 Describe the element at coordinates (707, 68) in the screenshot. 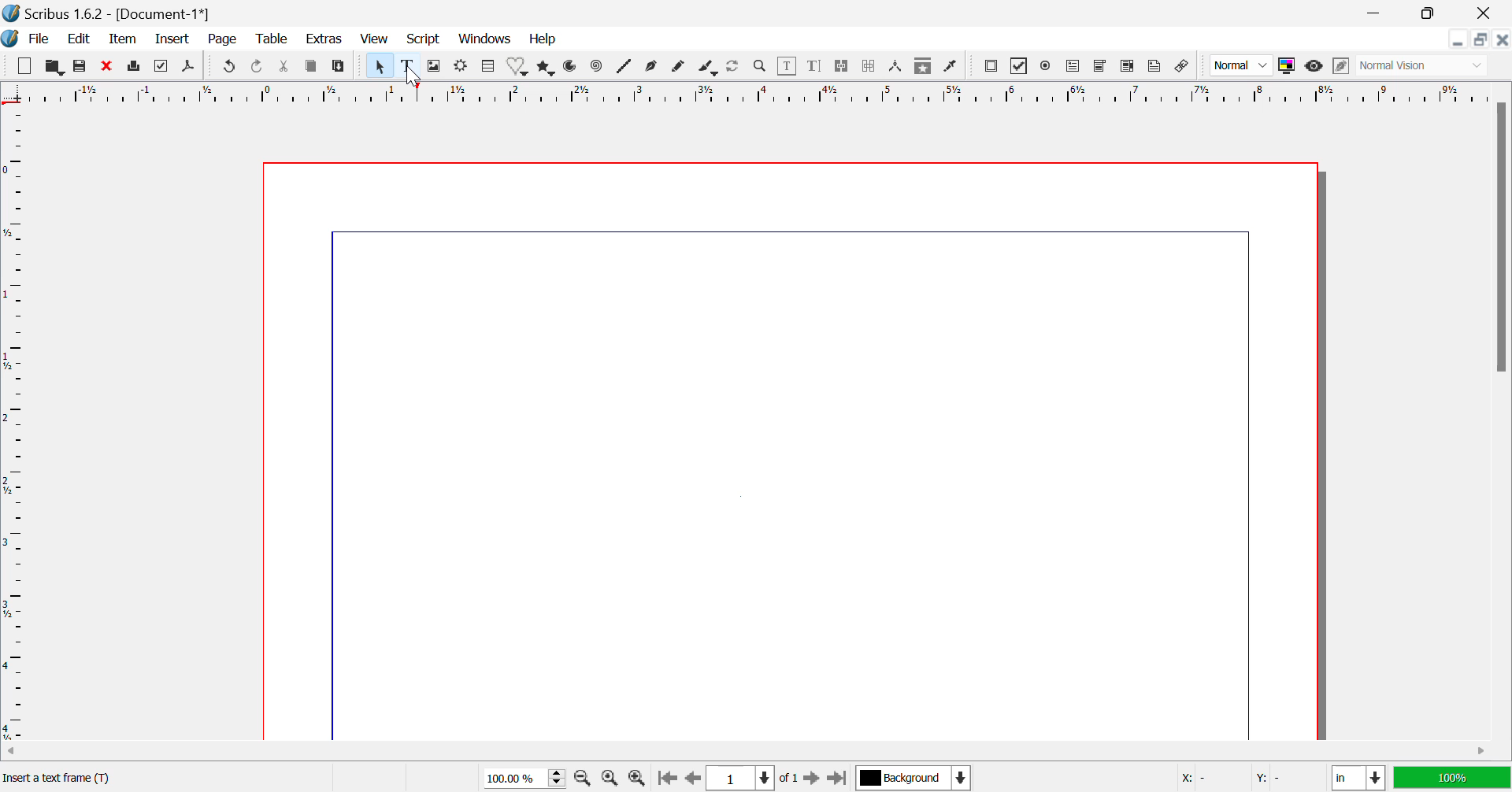

I see `Calligraphic Line` at that location.